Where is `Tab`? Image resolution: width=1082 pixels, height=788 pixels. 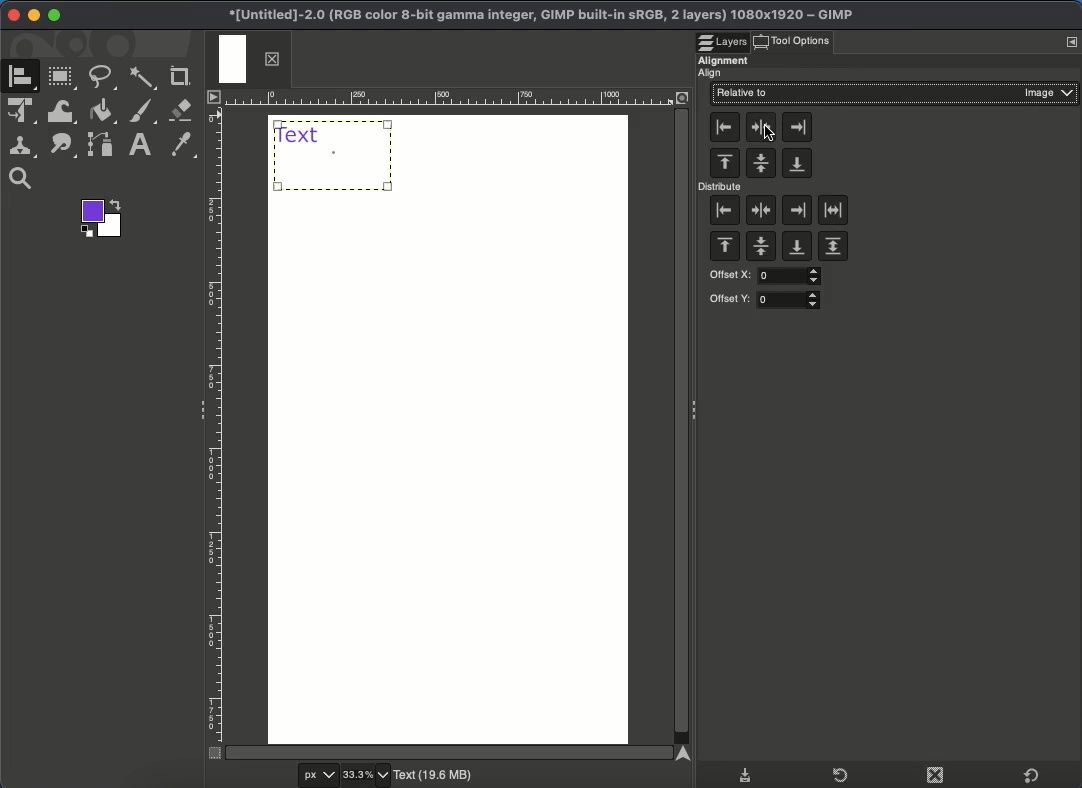 Tab is located at coordinates (247, 60).